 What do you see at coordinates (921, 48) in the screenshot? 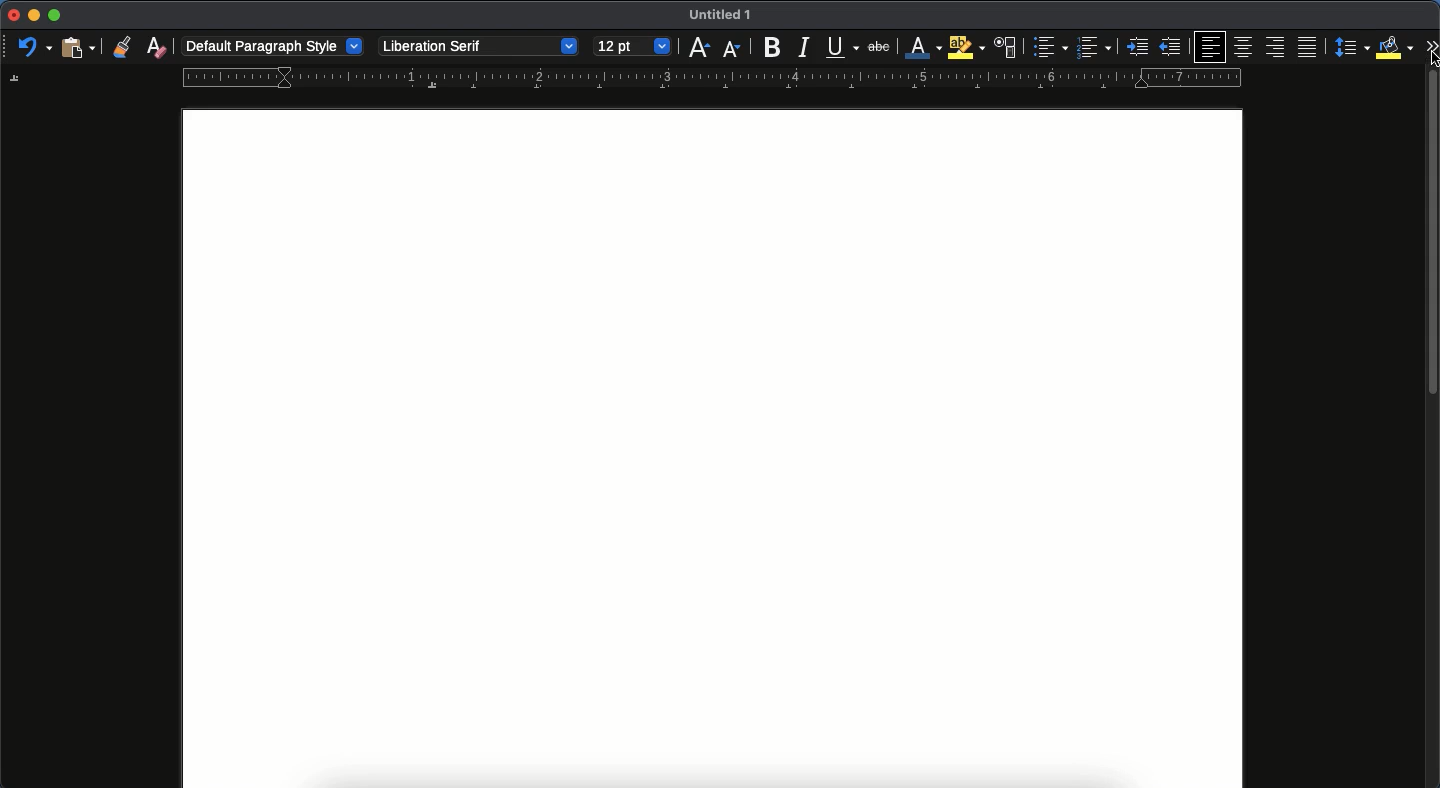
I see `line color` at bounding box center [921, 48].